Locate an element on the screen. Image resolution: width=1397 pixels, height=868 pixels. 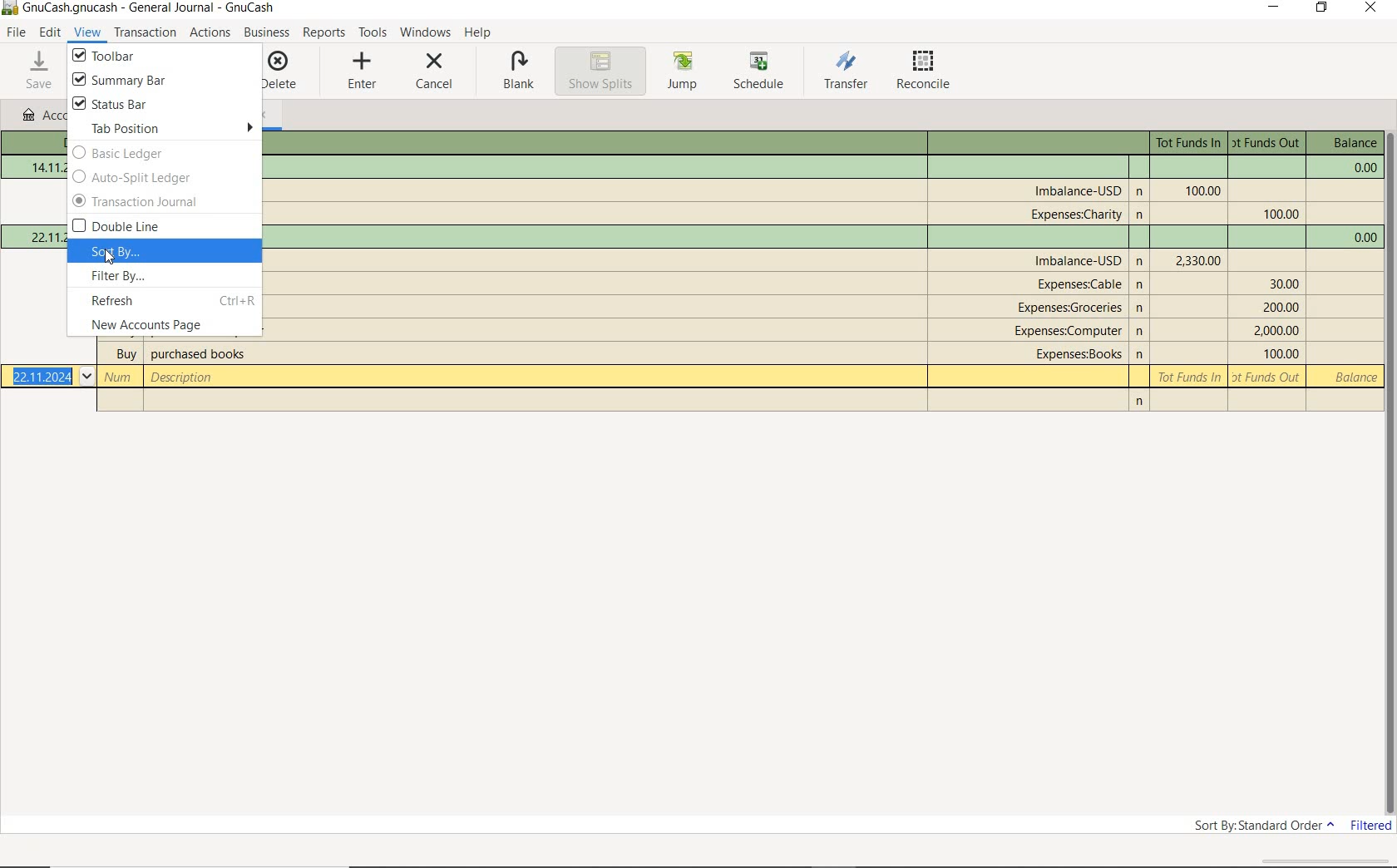
EDIT is located at coordinates (52, 33).